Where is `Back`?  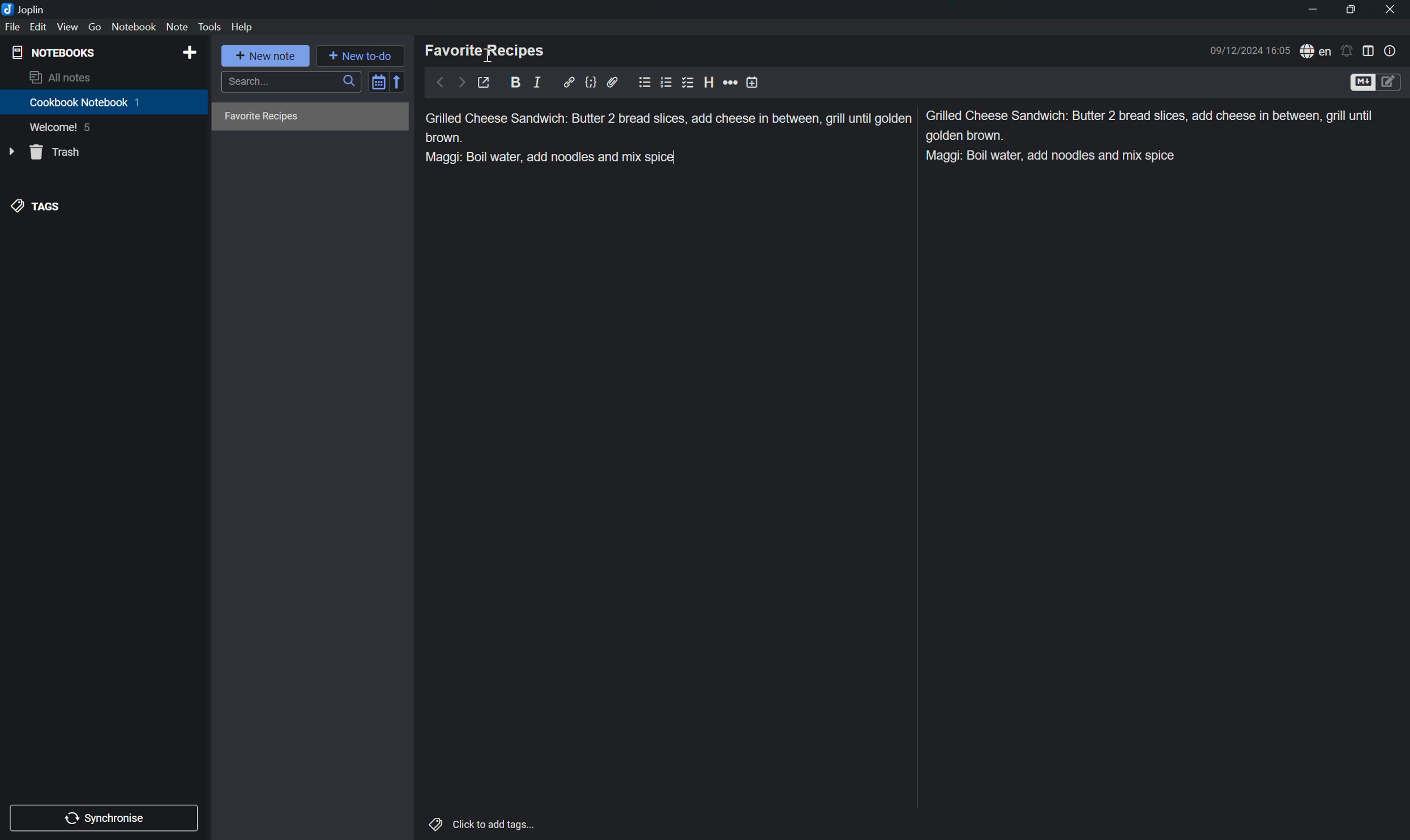
Back is located at coordinates (439, 83).